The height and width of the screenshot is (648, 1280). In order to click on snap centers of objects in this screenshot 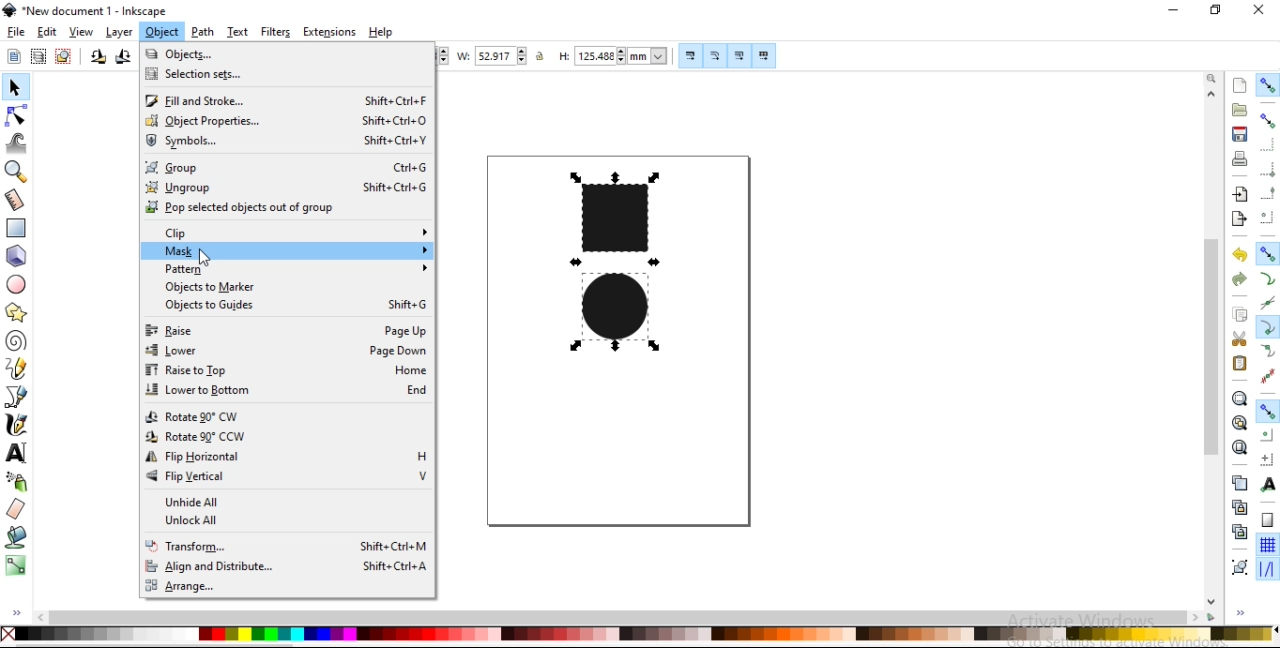, I will do `click(1267, 436)`.